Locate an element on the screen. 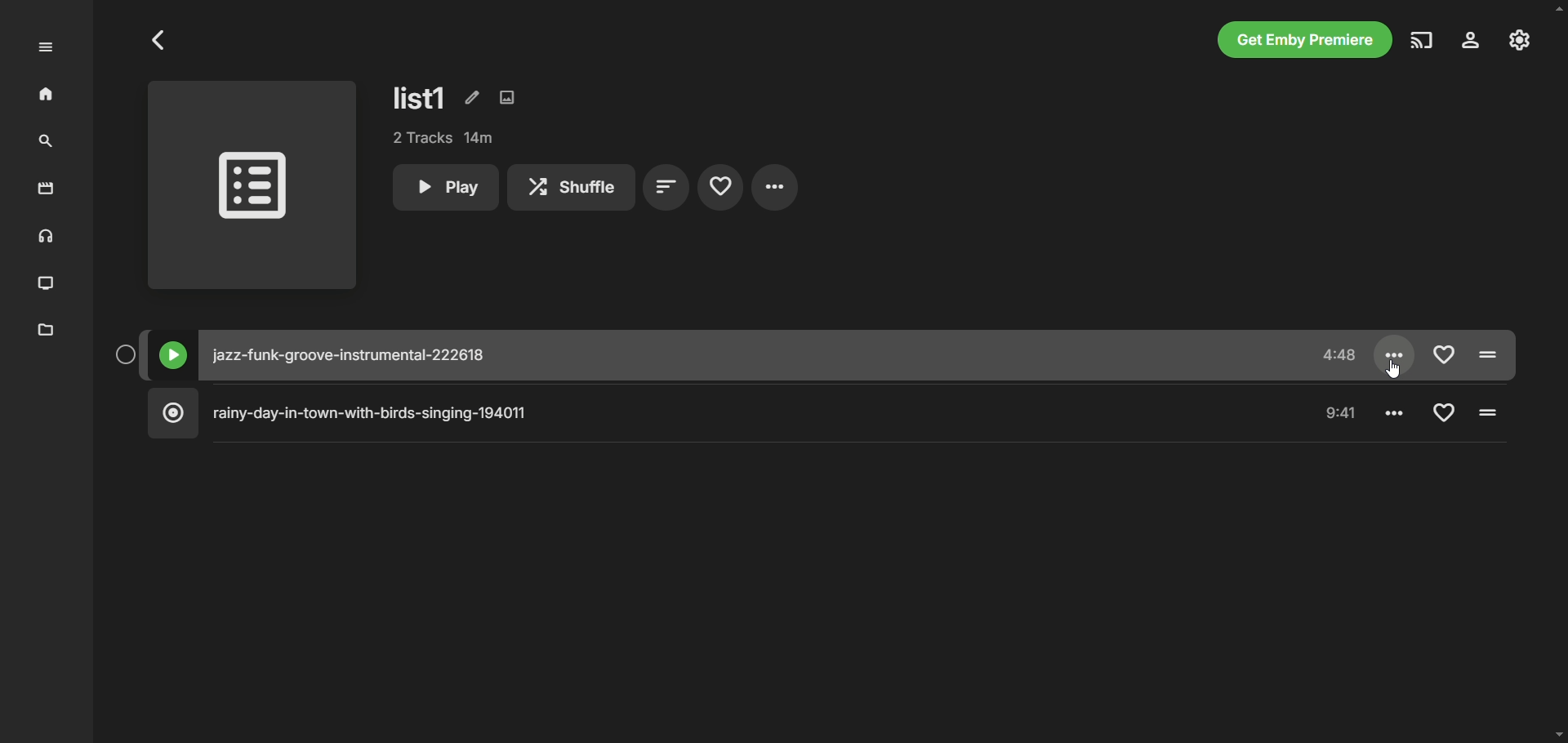  search is located at coordinates (46, 142).